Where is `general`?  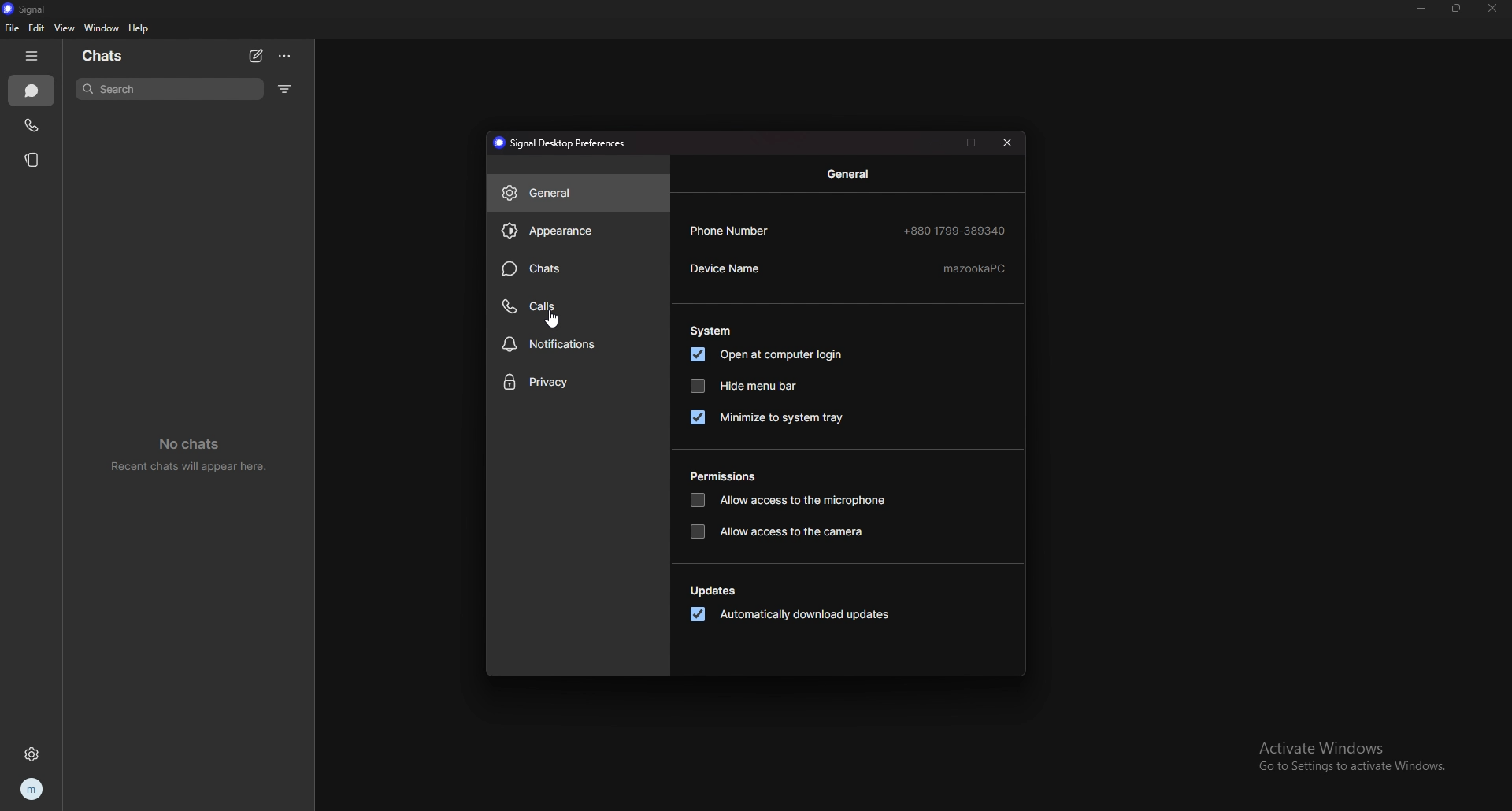
general is located at coordinates (845, 174).